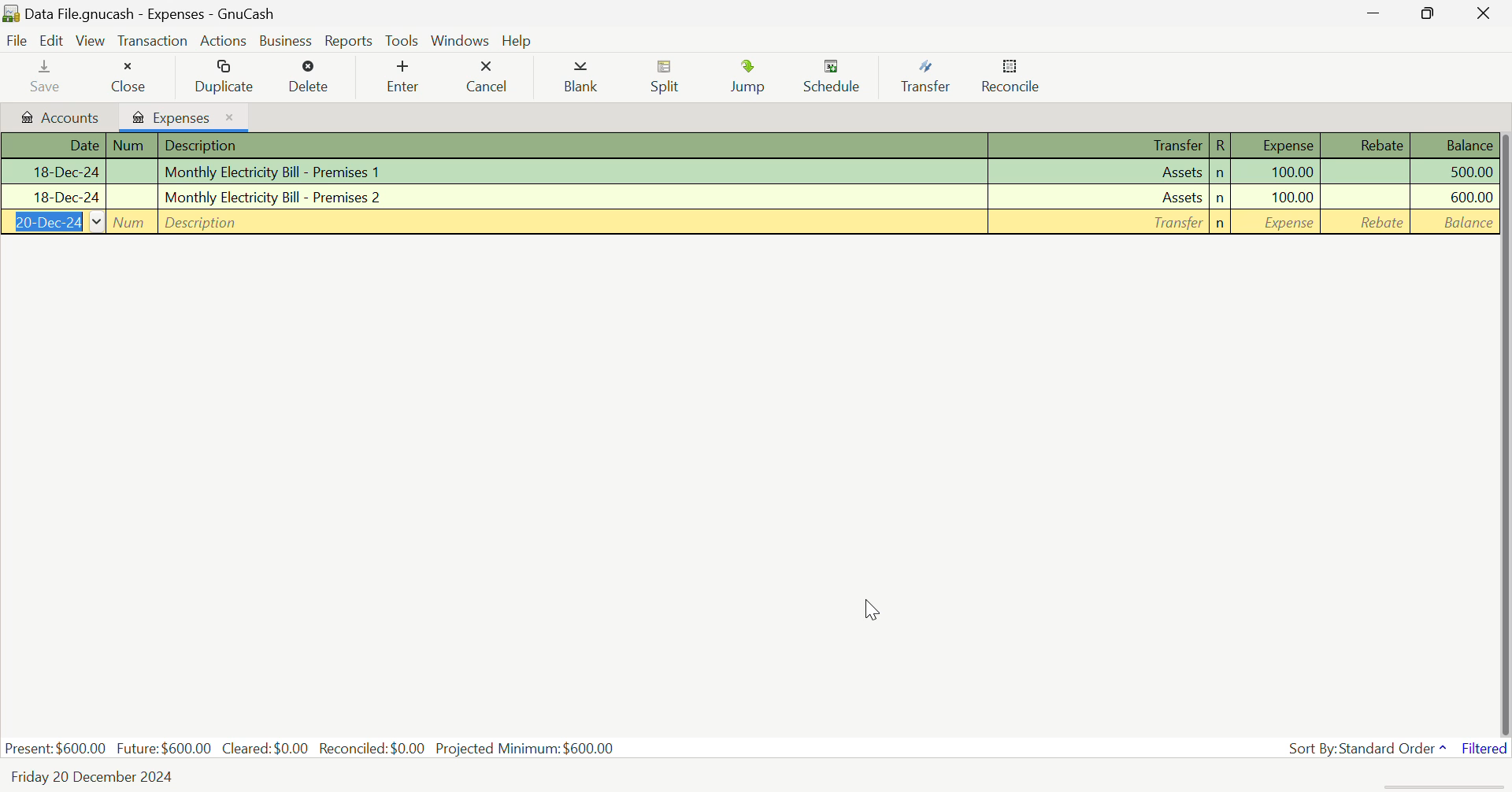  I want to click on Rebate, so click(1365, 173).